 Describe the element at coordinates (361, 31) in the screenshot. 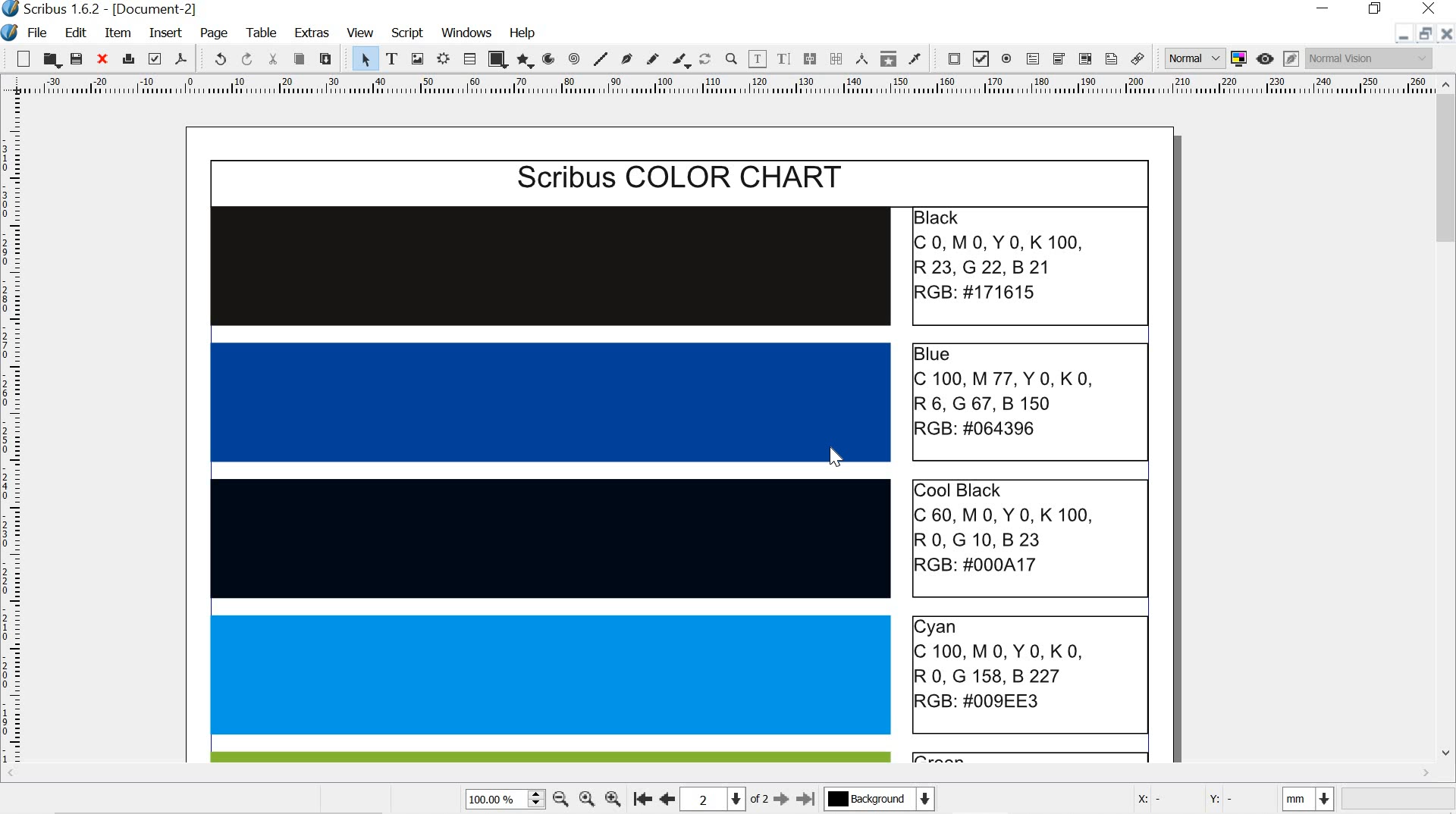

I see `view` at that location.